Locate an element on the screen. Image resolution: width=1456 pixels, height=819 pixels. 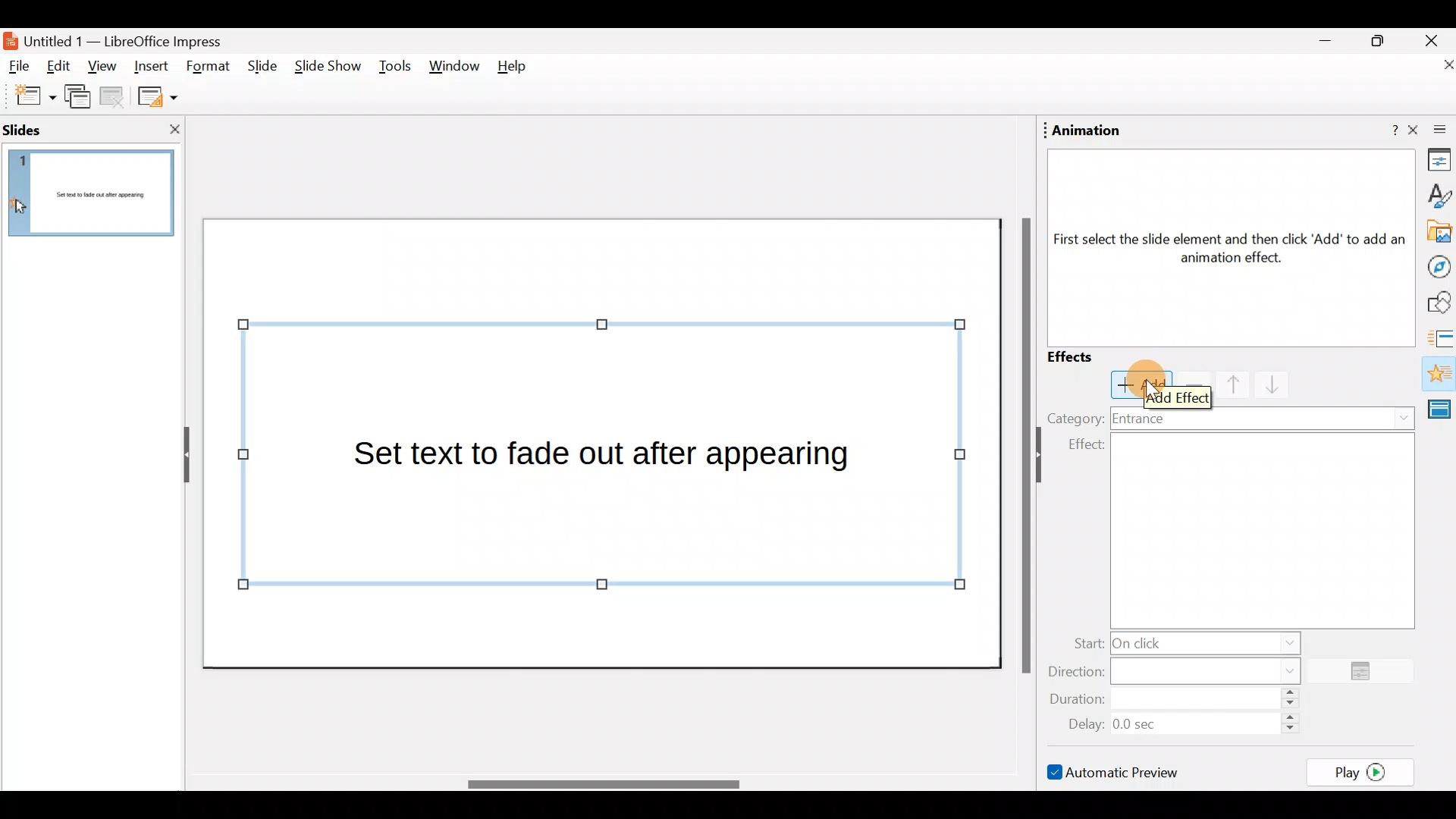
Delete slide is located at coordinates (115, 99).